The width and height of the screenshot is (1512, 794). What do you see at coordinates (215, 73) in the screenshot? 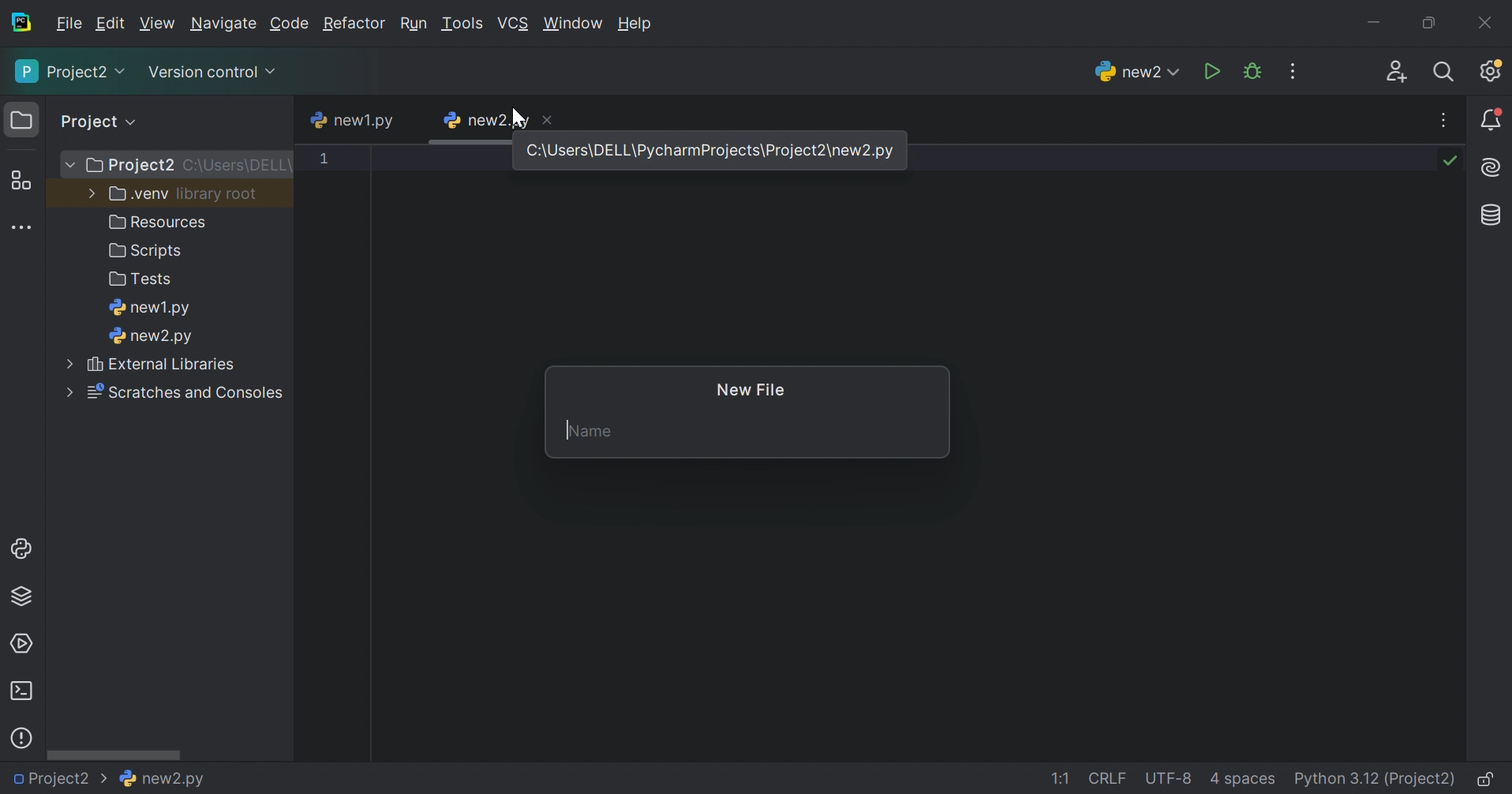
I see `Version control` at bounding box center [215, 73].